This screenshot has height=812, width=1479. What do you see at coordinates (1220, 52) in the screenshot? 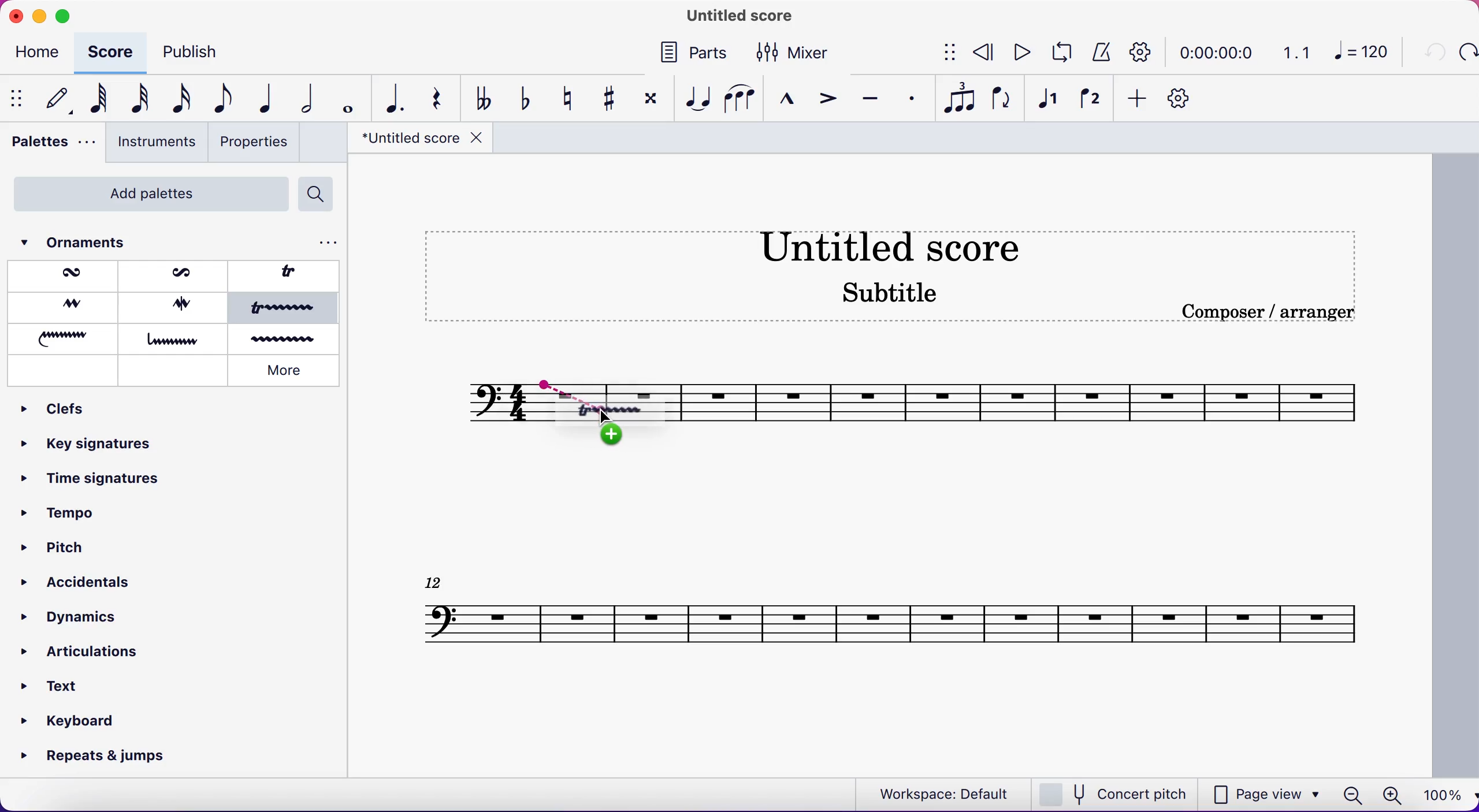
I see `time` at bounding box center [1220, 52].